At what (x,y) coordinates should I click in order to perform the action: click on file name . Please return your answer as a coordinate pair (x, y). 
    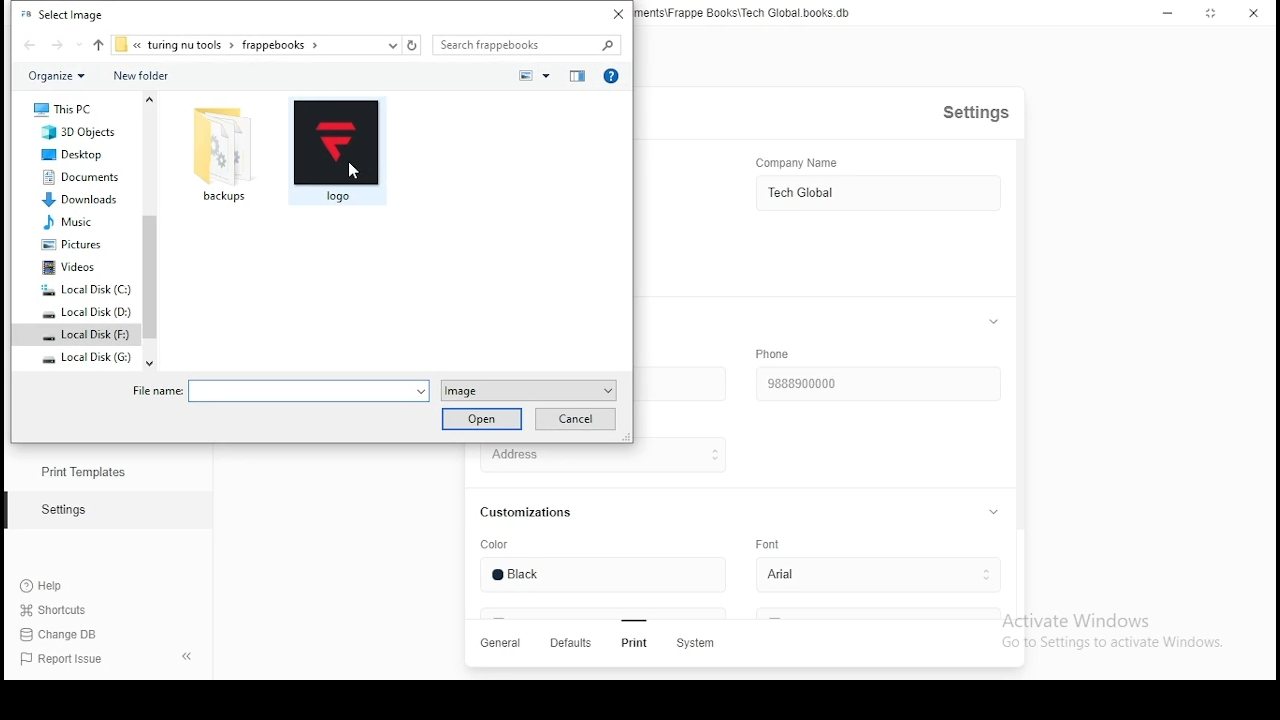
    Looking at the image, I should click on (152, 393).